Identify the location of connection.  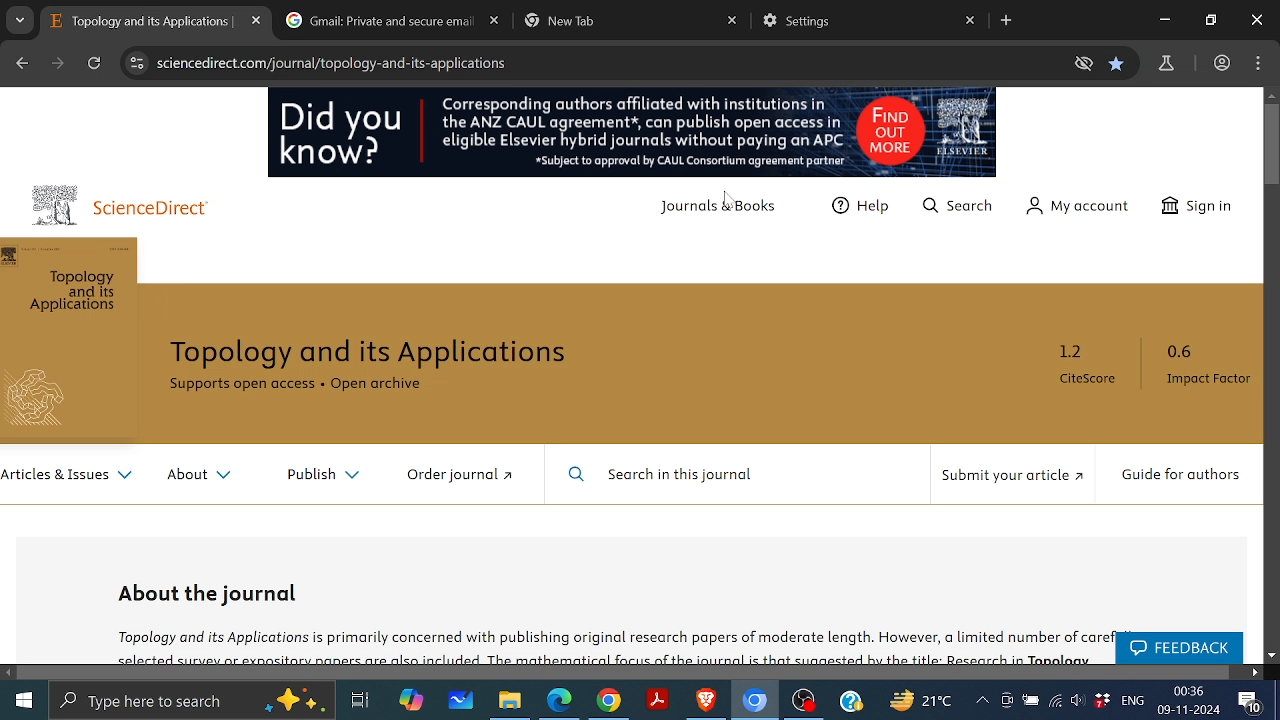
(1054, 703).